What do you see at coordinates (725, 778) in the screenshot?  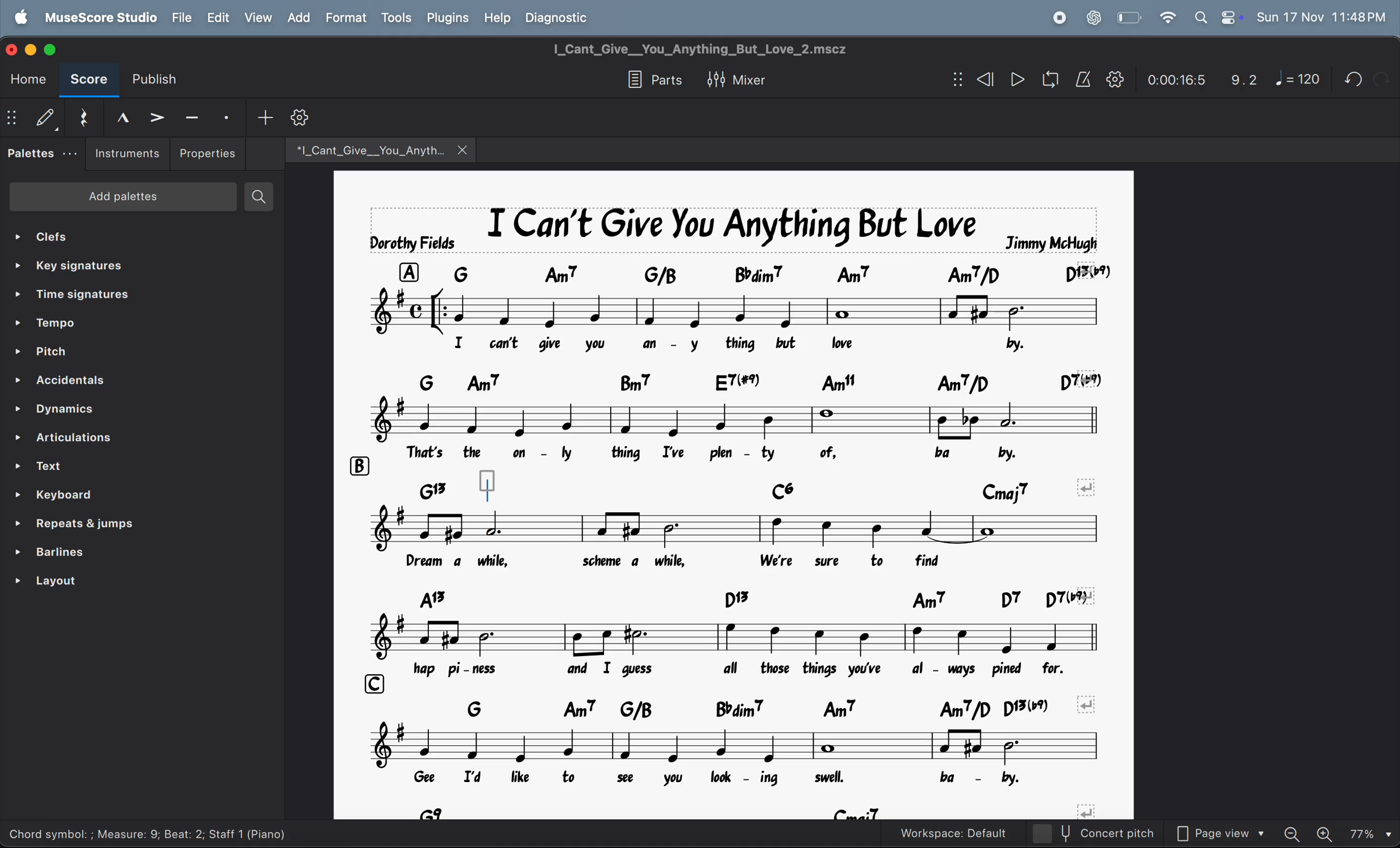 I see `lyrics` at bounding box center [725, 778].